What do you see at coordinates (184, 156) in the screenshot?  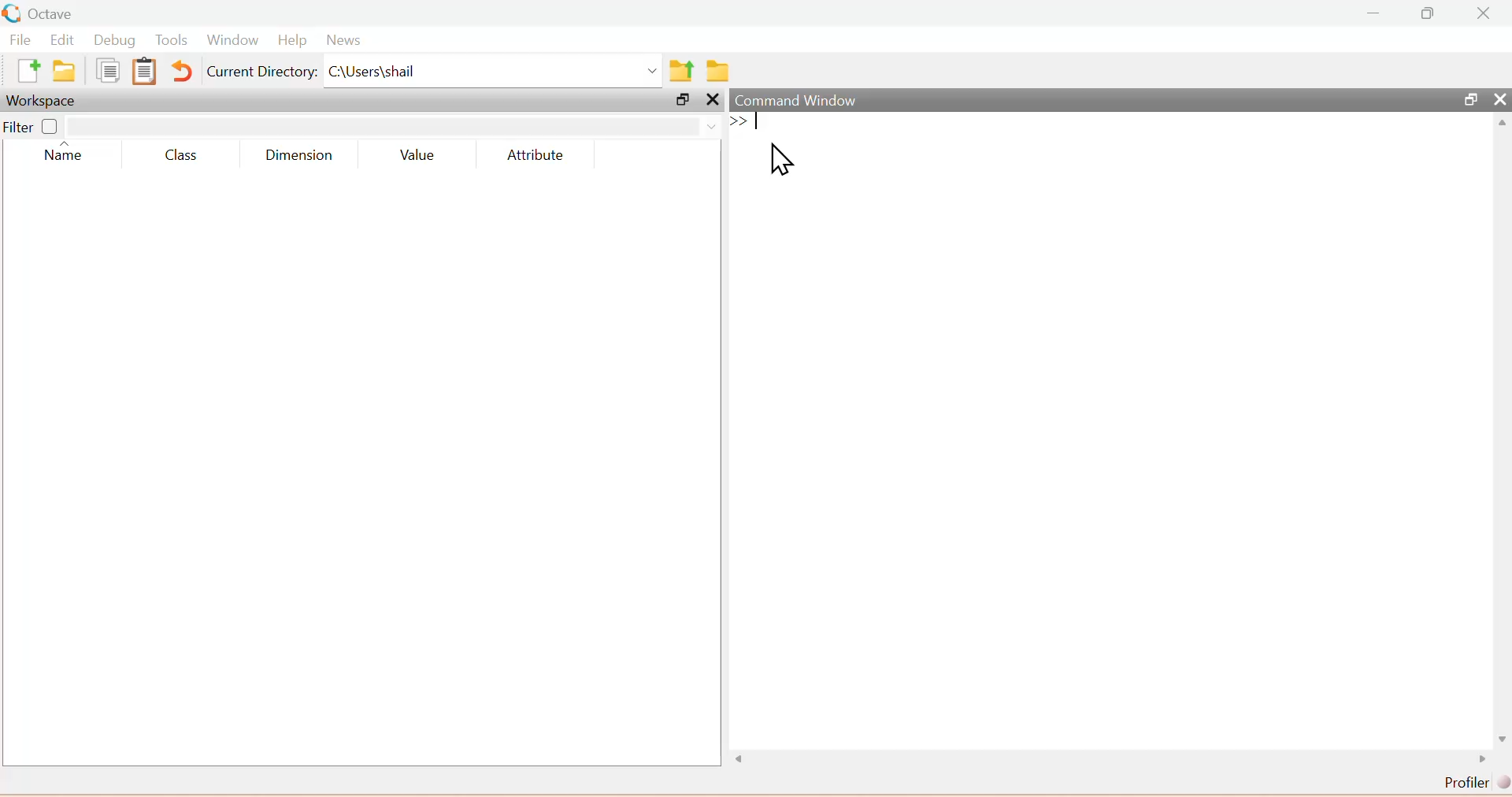 I see `Class` at bounding box center [184, 156].